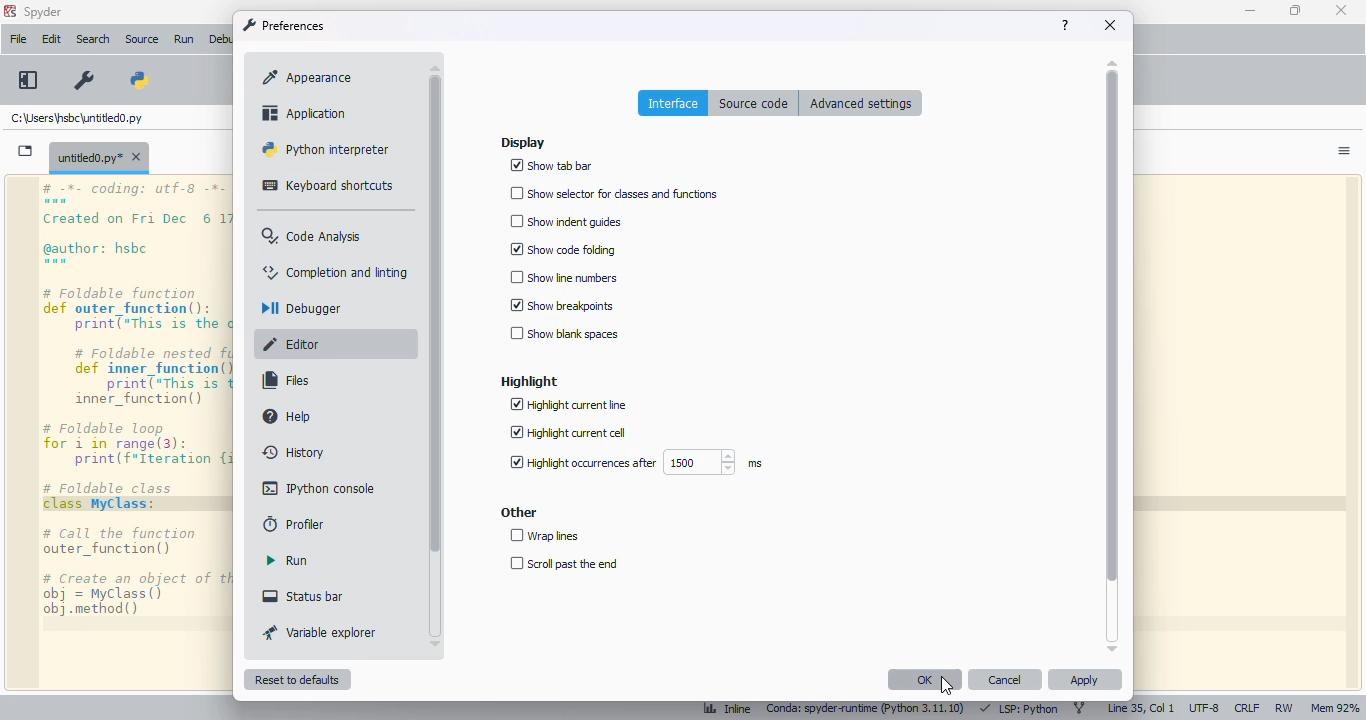 Image resolution: width=1366 pixels, height=720 pixels. What do you see at coordinates (635, 462) in the screenshot?
I see `highlight occurrences after 1500 ms` at bounding box center [635, 462].